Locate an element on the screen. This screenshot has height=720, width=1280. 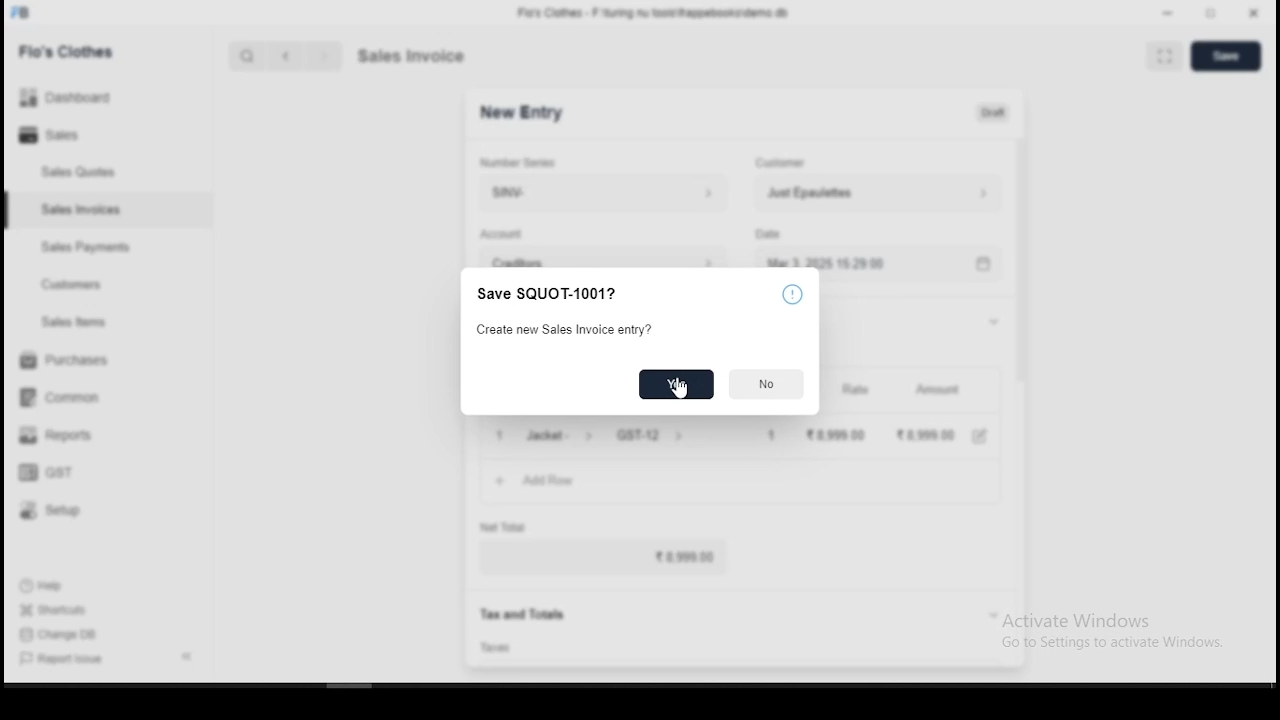
yes is located at coordinates (676, 386).